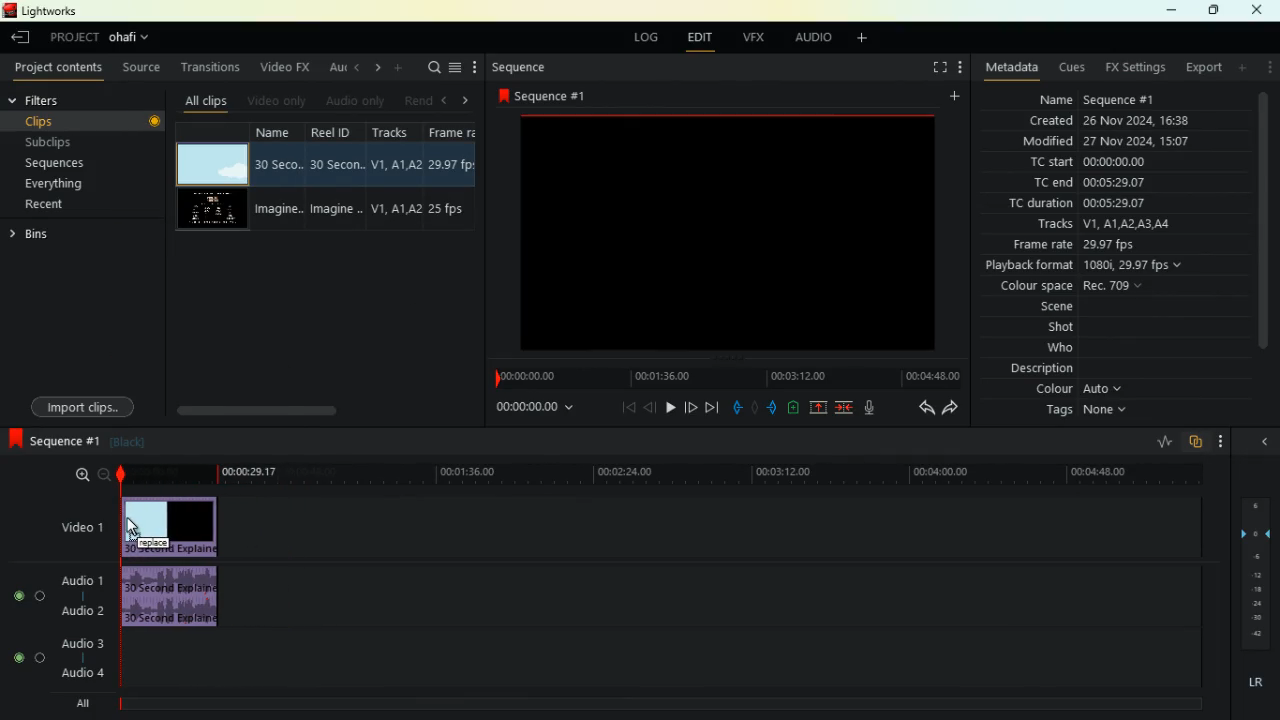  I want to click on colour space, so click(1030, 286).